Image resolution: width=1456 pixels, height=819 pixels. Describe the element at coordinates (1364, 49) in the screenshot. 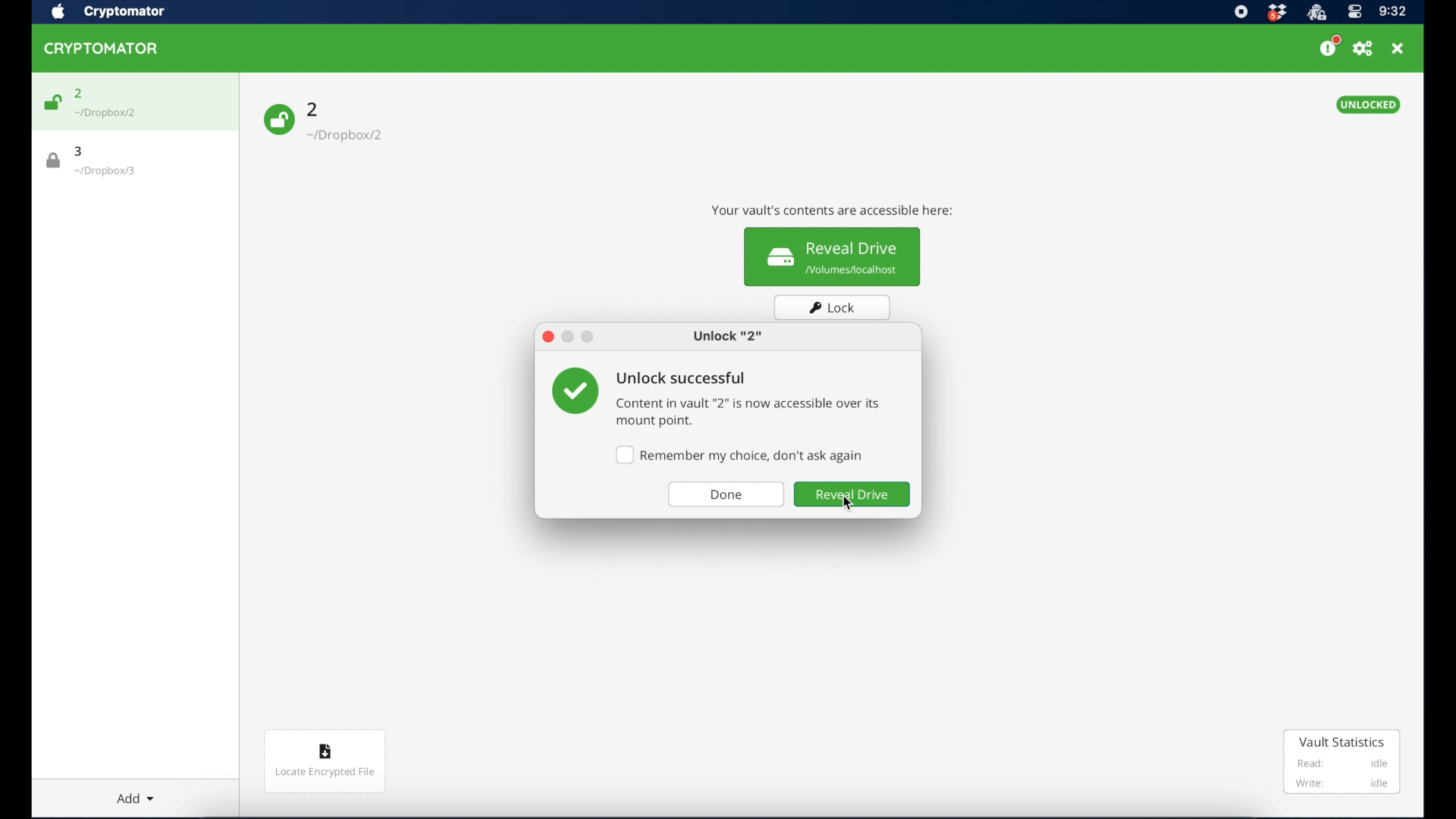

I see `preferences` at that location.